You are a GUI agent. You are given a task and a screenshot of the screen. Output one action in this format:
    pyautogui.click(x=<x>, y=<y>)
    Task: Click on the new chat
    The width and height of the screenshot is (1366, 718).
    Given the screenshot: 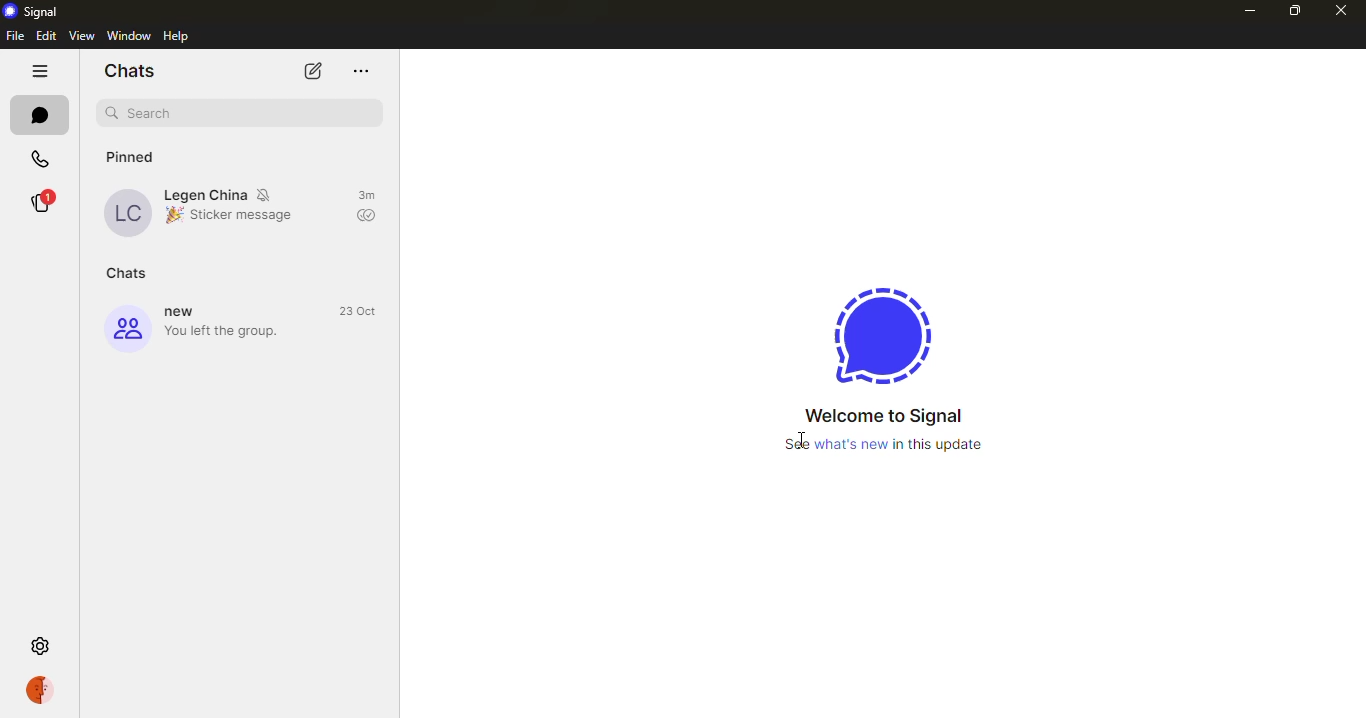 What is the action you would take?
    pyautogui.click(x=311, y=72)
    